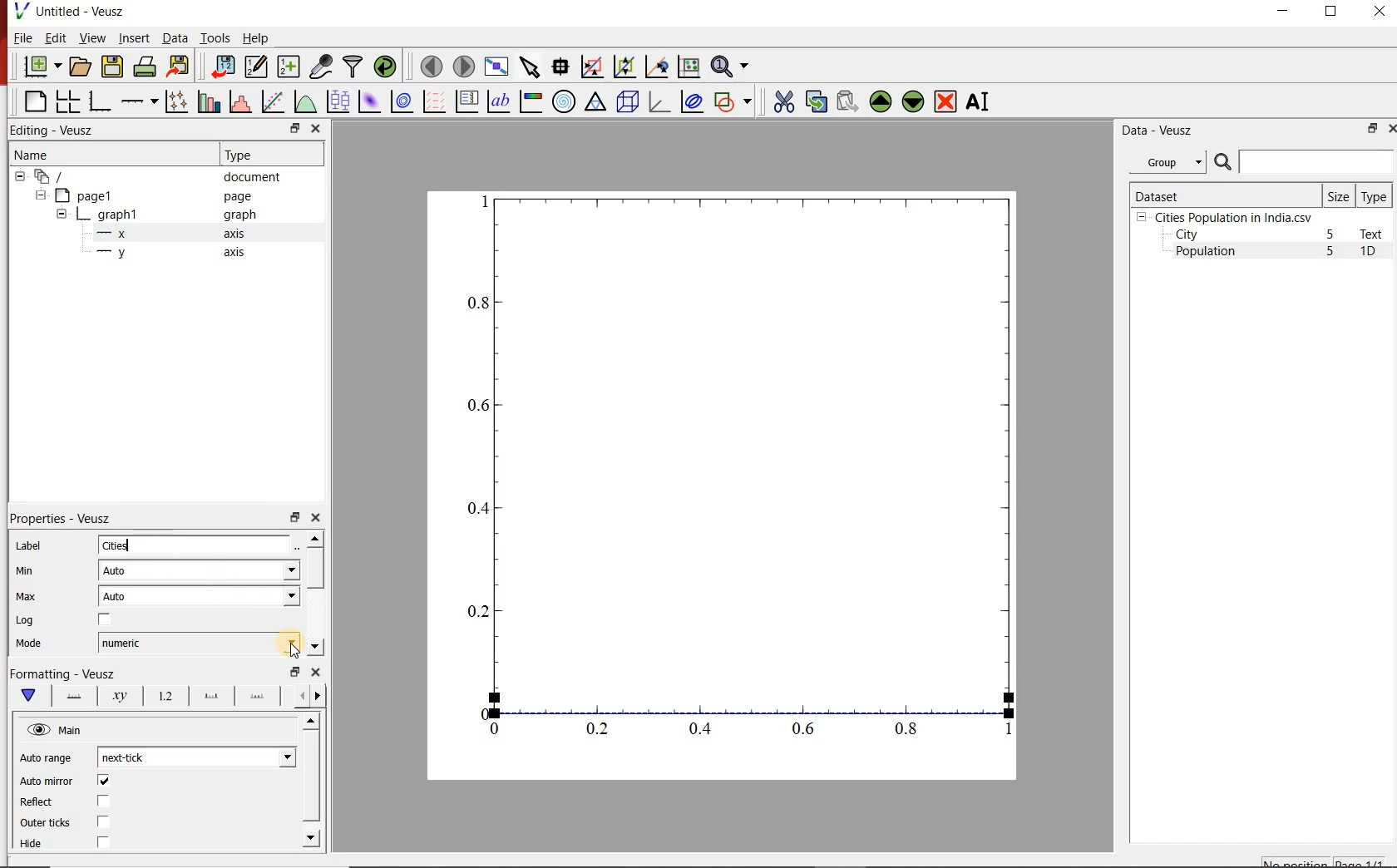  Describe the element at coordinates (47, 758) in the screenshot. I see `Auto range` at that location.